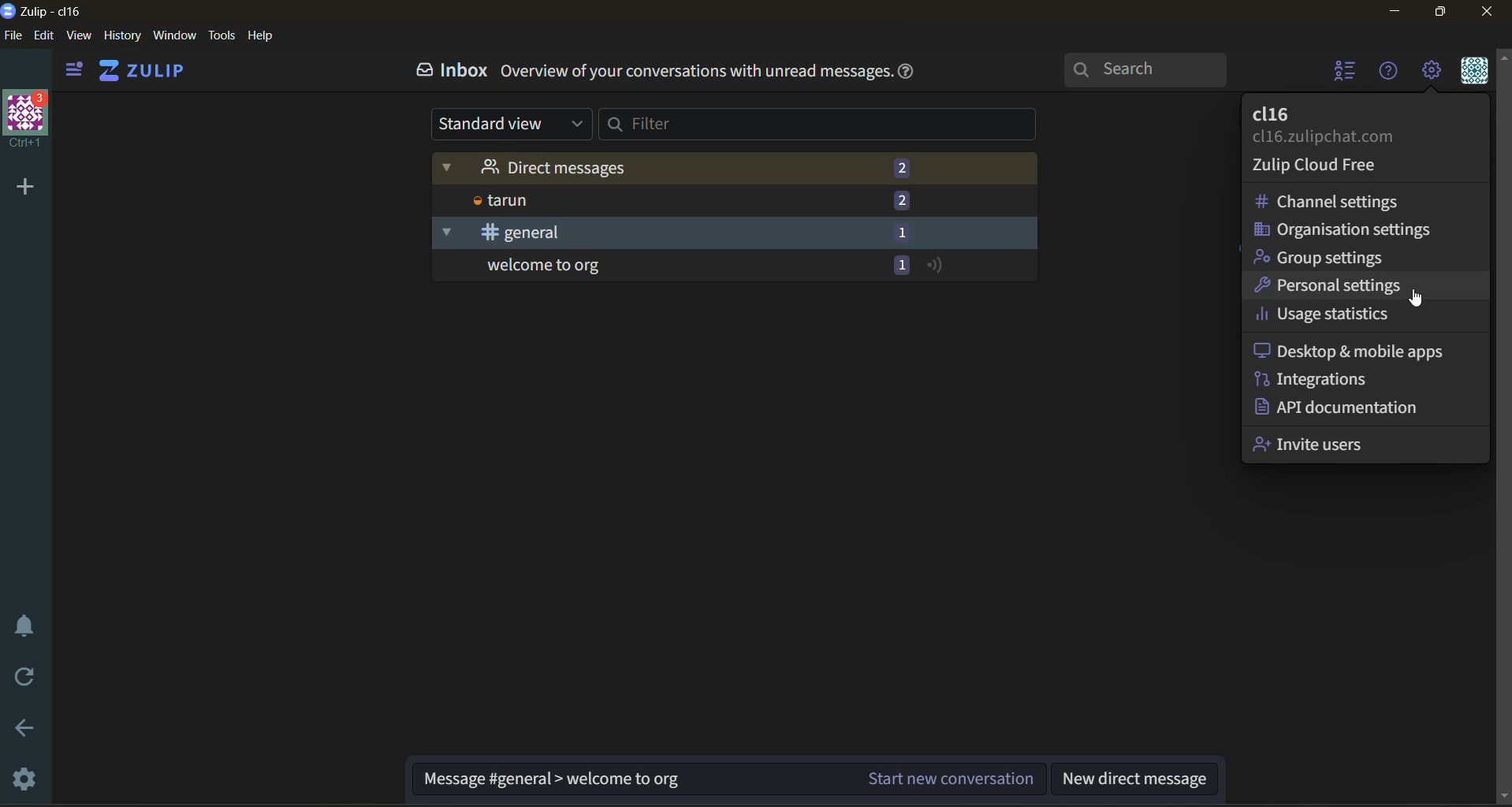  I want to click on history, so click(122, 35).